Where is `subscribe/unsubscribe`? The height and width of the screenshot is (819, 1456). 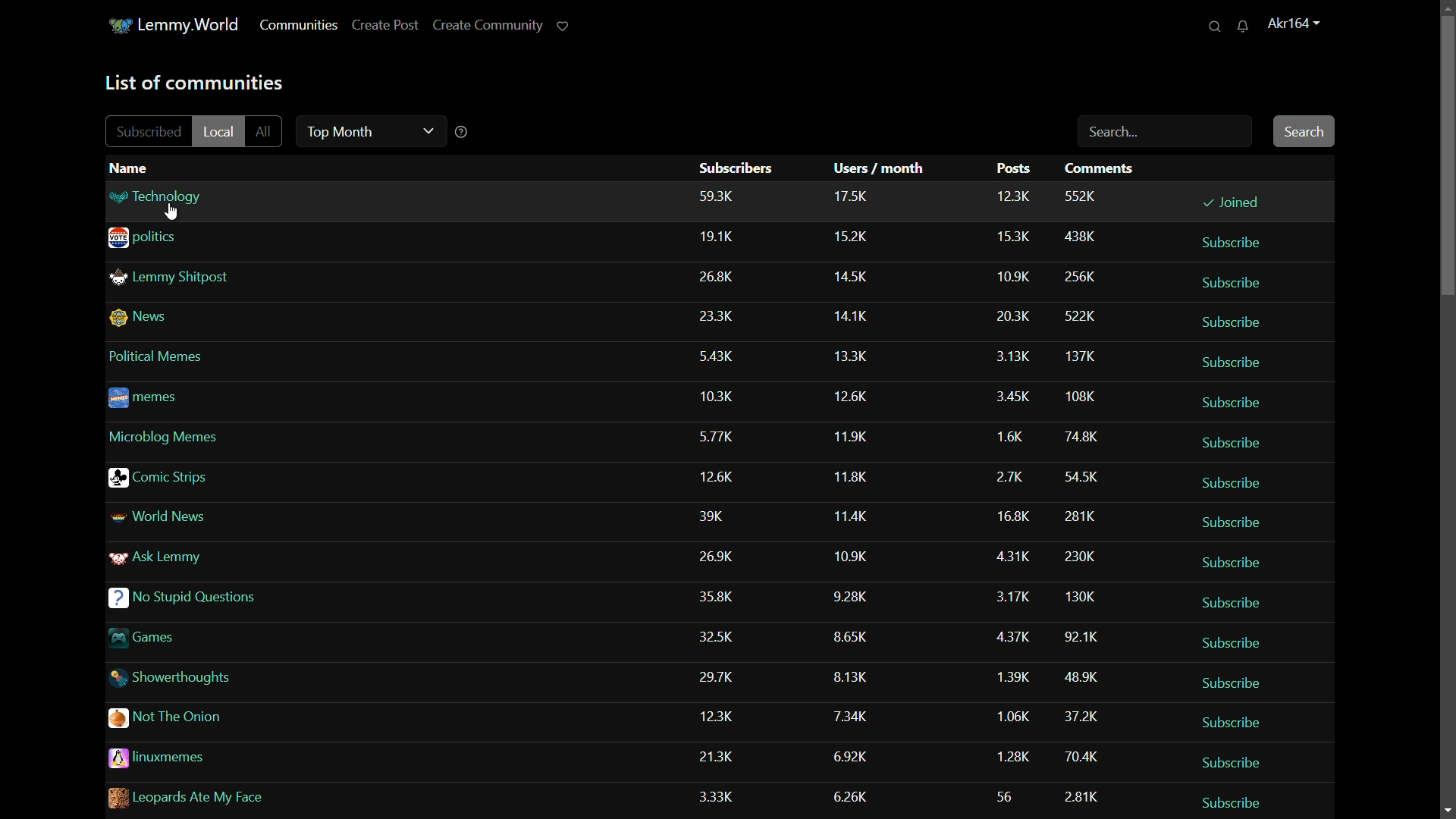
subscribe/unsubscribe is located at coordinates (1235, 364).